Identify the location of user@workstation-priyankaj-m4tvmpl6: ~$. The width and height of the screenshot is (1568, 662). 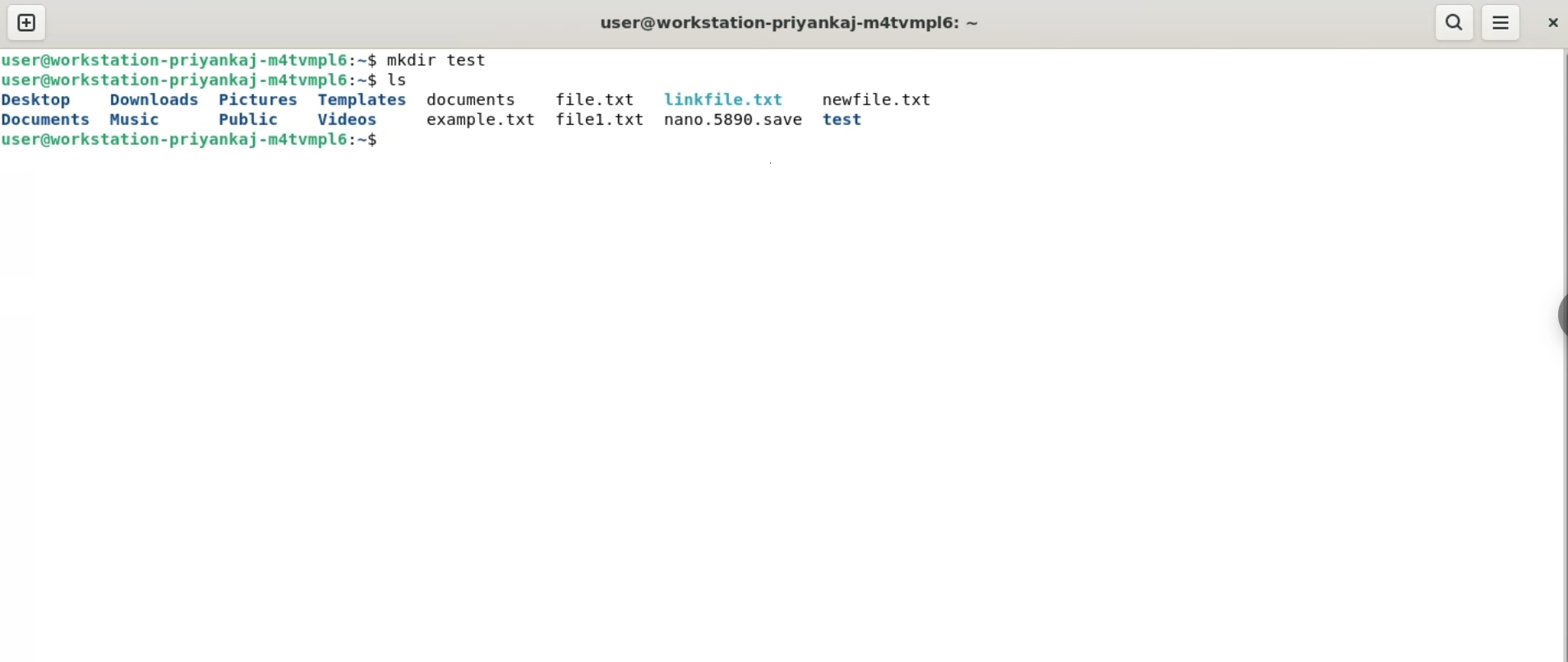
(198, 140).